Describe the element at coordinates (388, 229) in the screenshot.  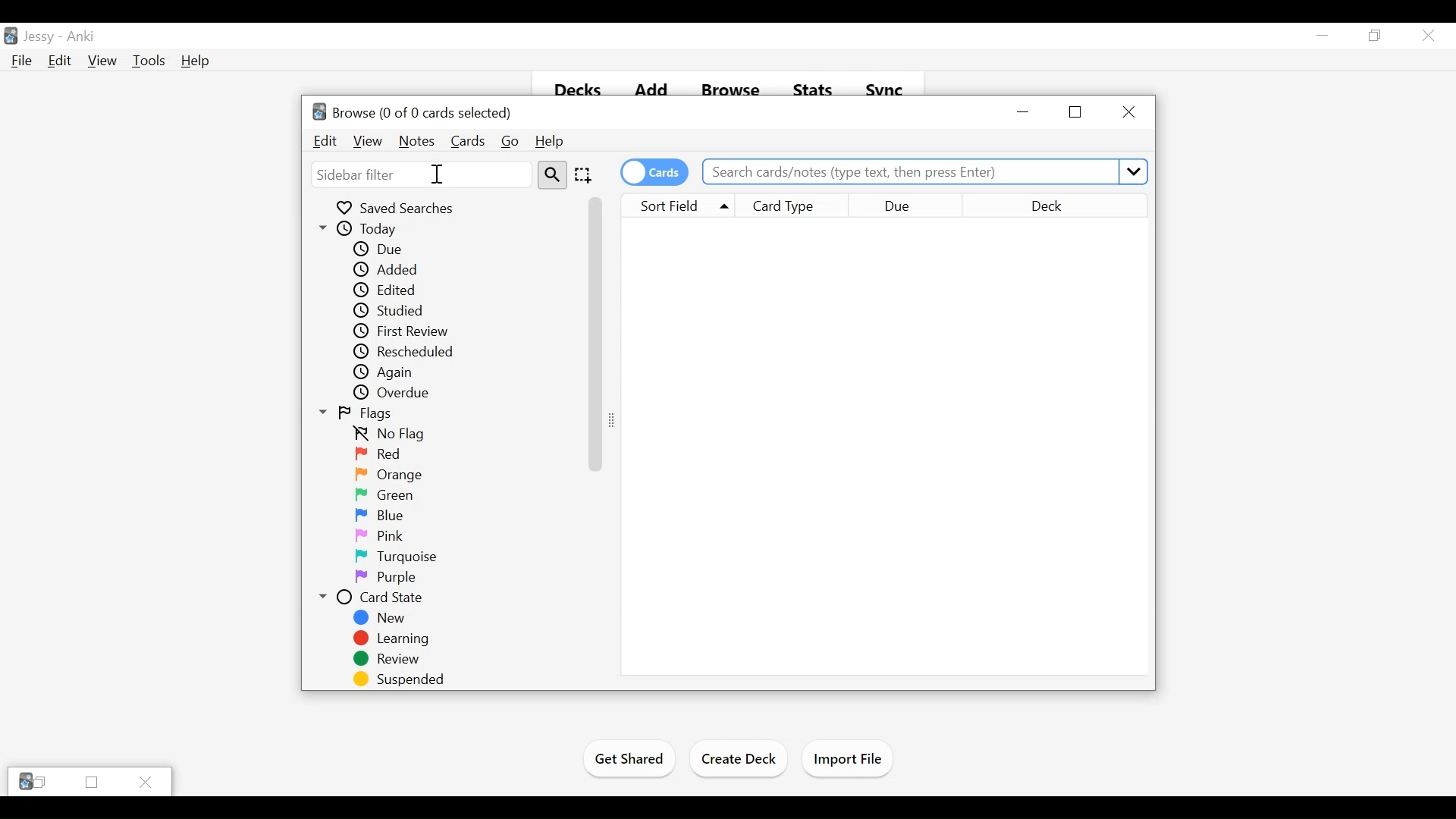
I see `Today` at that location.